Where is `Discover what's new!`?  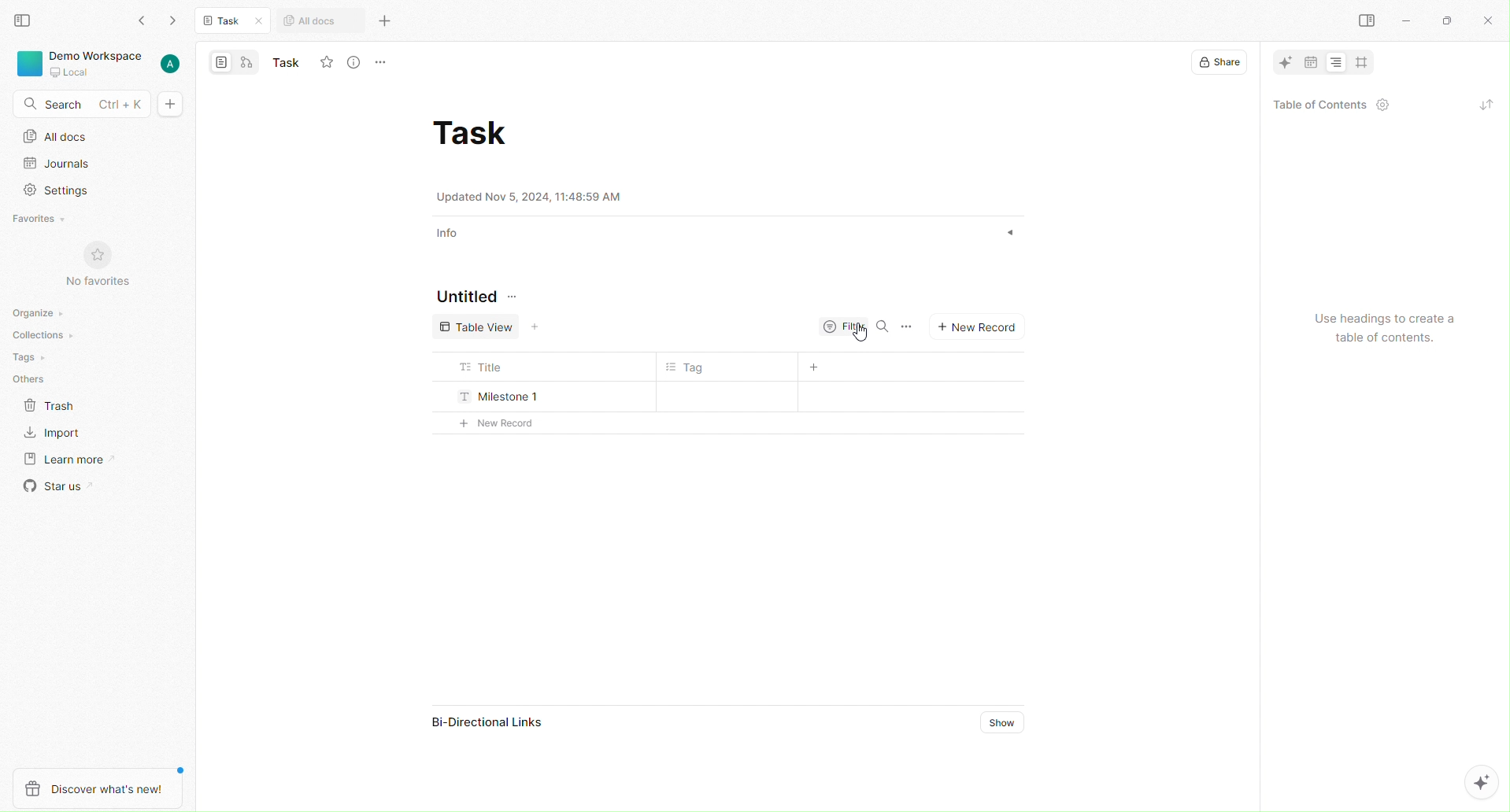 Discover what's new! is located at coordinates (101, 782).